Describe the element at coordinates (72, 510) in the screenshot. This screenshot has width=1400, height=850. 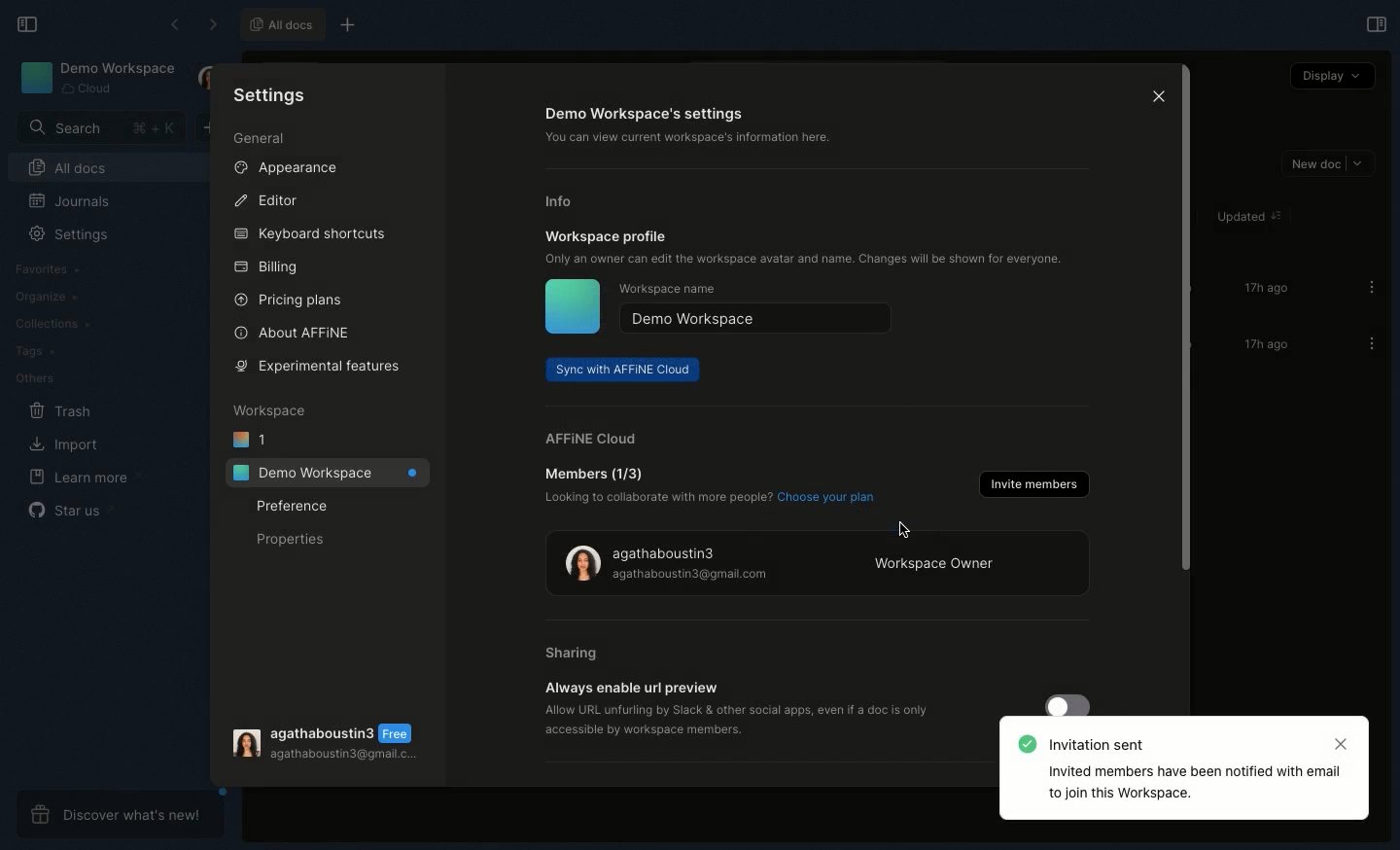
I see `Star us` at that location.